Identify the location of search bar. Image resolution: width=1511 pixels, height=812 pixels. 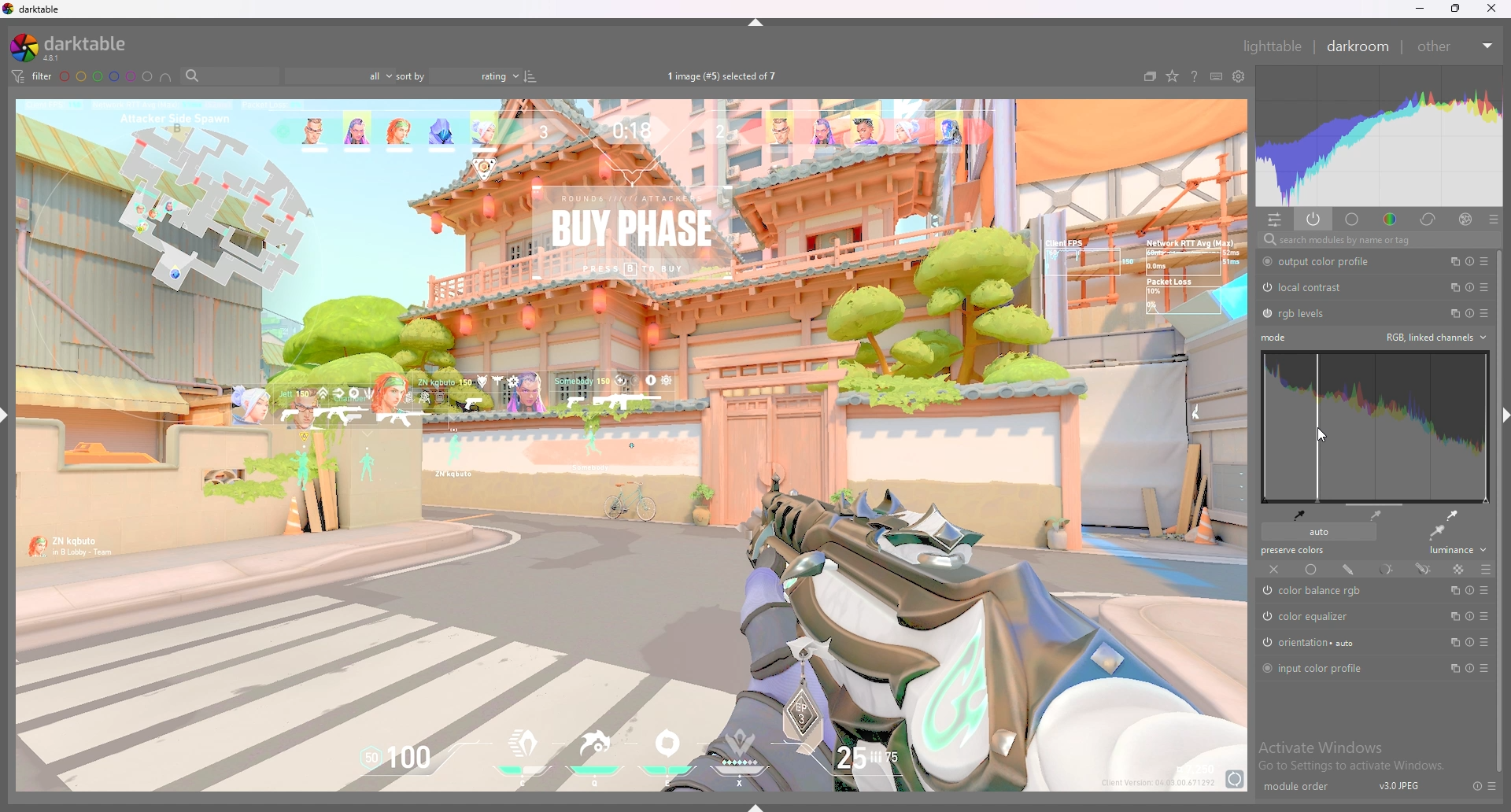
(225, 76).